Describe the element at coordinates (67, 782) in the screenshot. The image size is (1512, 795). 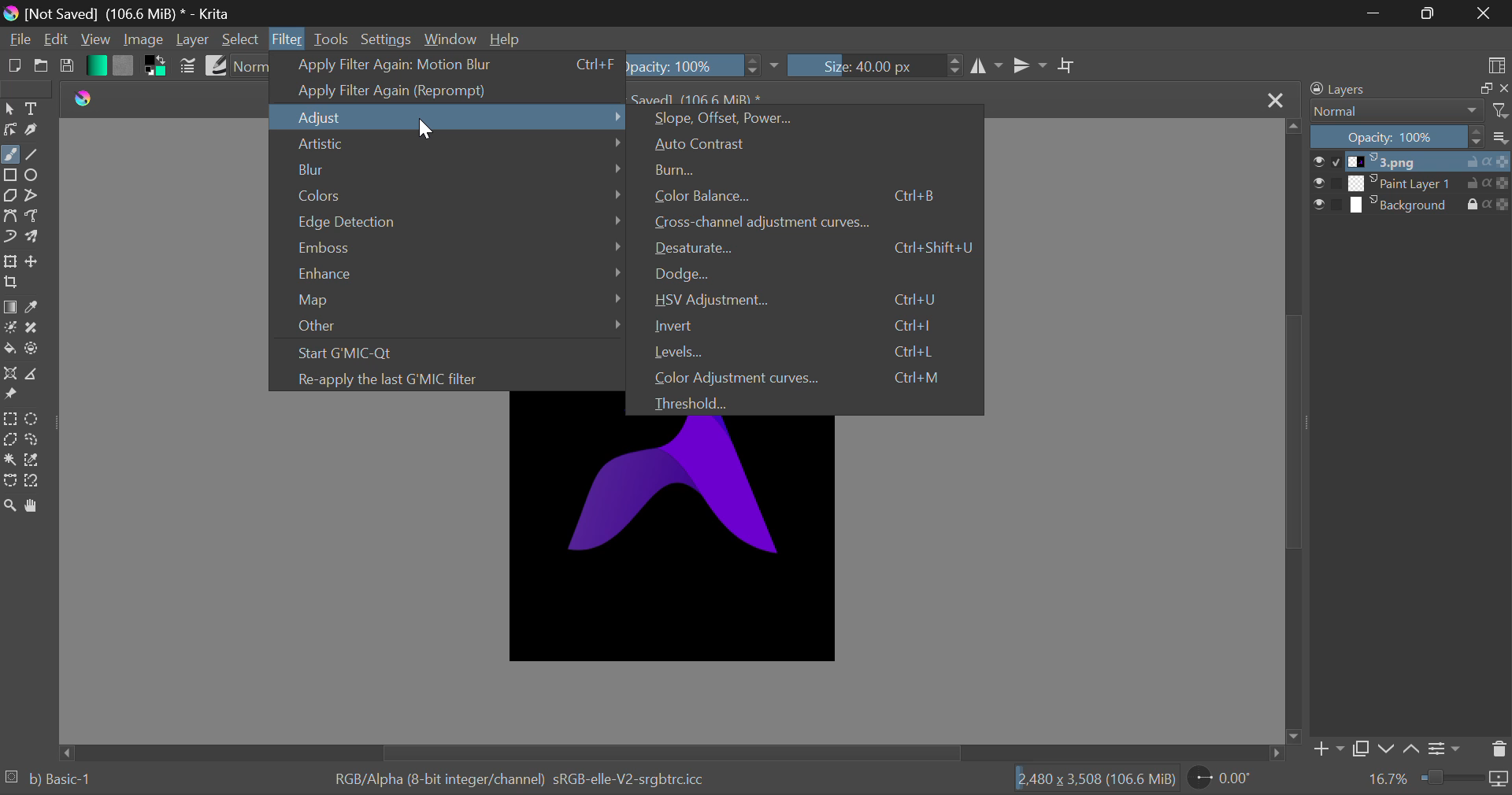
I see `b) Basic 1` at that location.